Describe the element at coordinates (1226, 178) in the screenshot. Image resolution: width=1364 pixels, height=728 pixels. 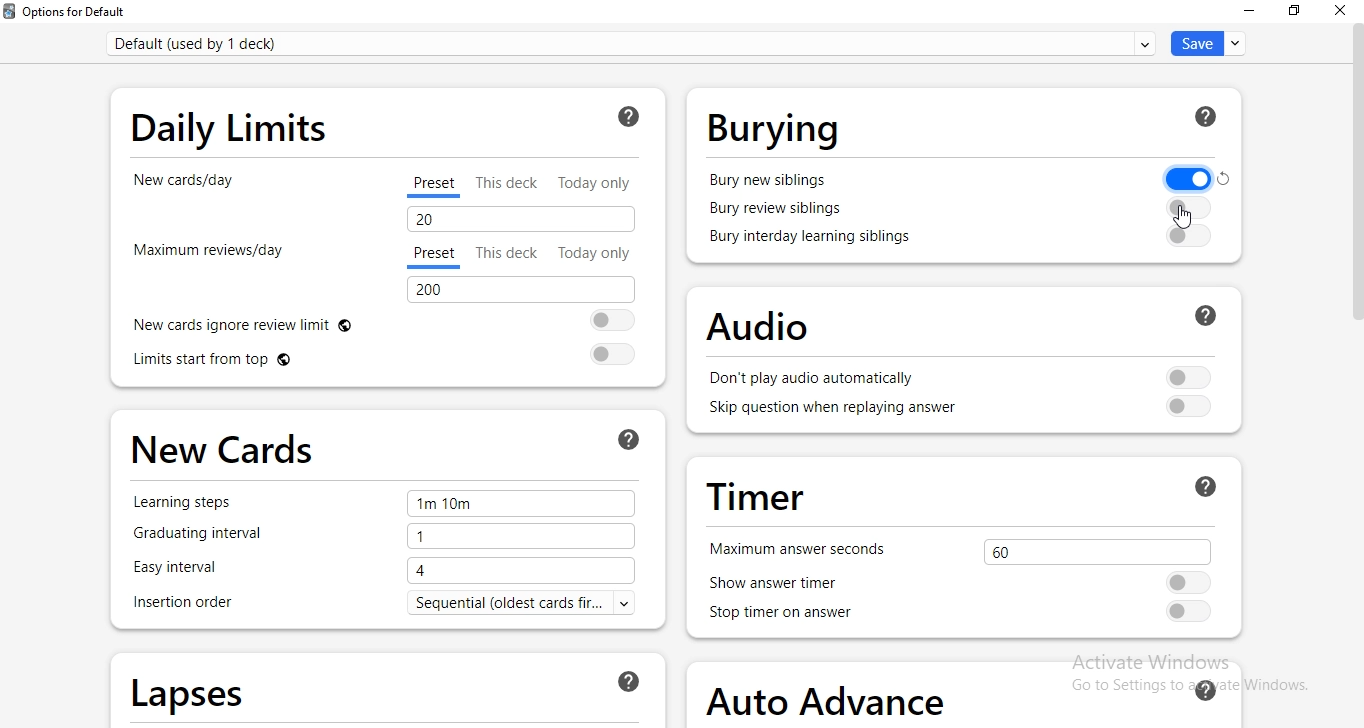
I see `` at that location.